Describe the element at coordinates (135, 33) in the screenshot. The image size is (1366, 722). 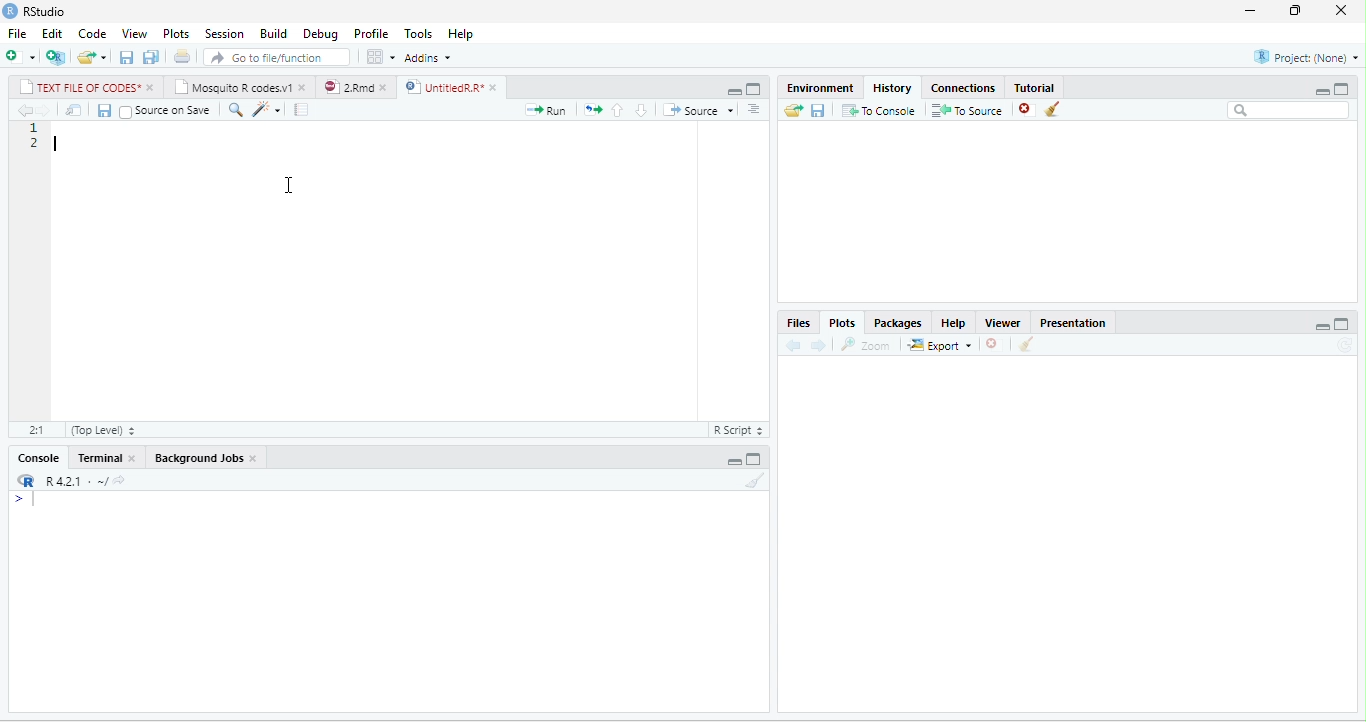
I see `View` at that location.